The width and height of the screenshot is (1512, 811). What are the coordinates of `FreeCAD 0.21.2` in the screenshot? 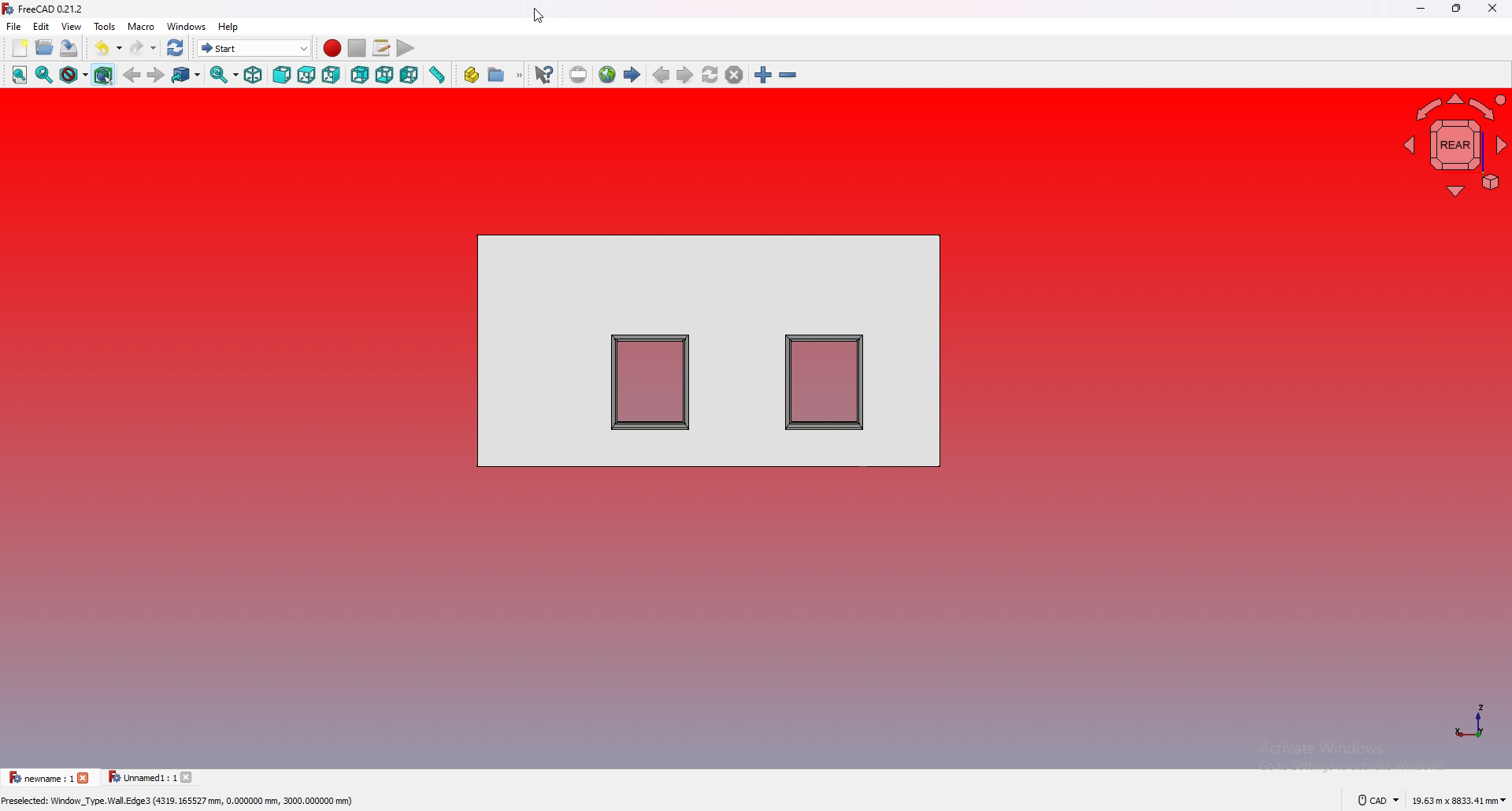 It's located at (53, 9).